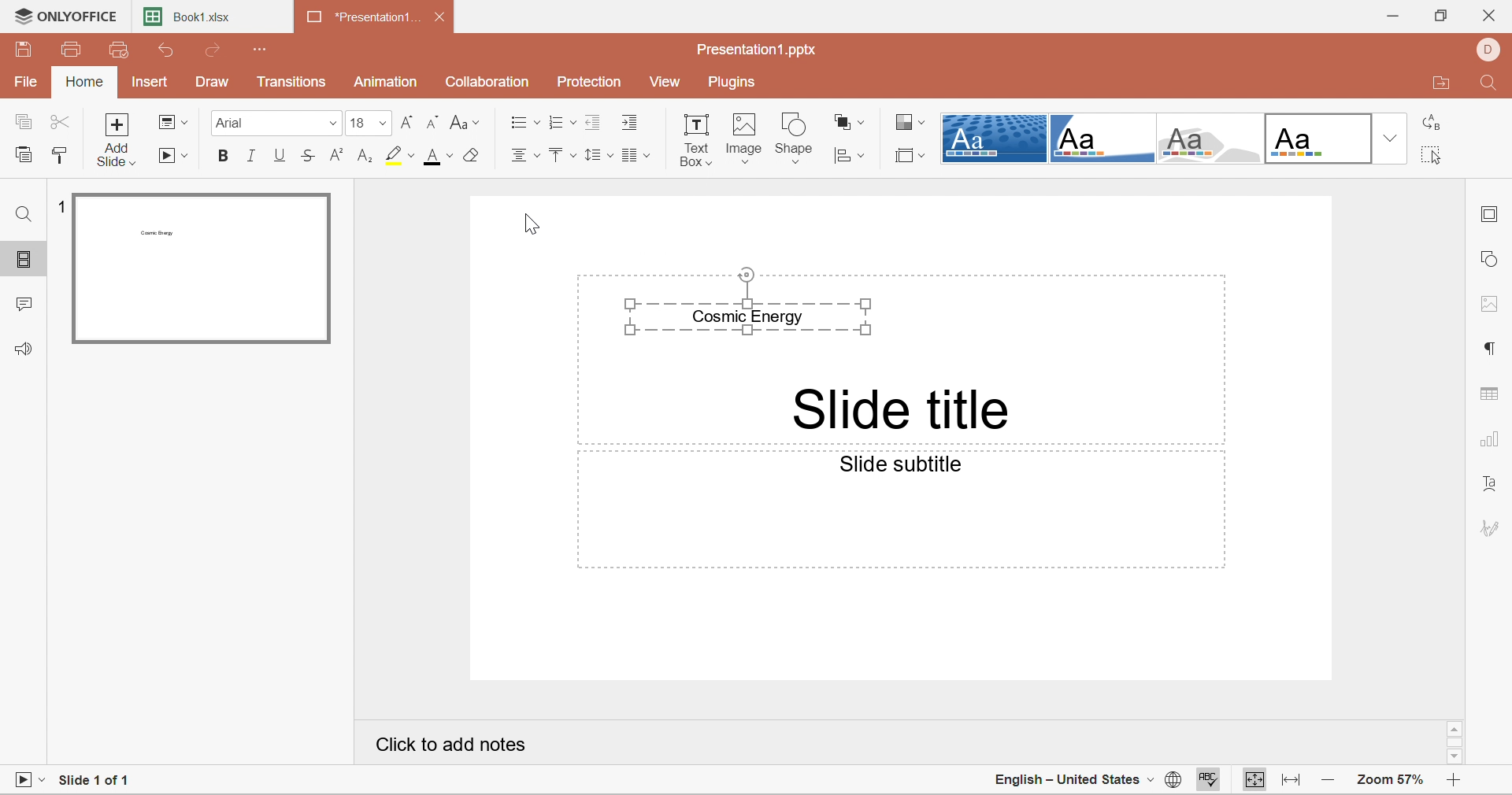  I want to click on Select slide size, so click(908, 156).